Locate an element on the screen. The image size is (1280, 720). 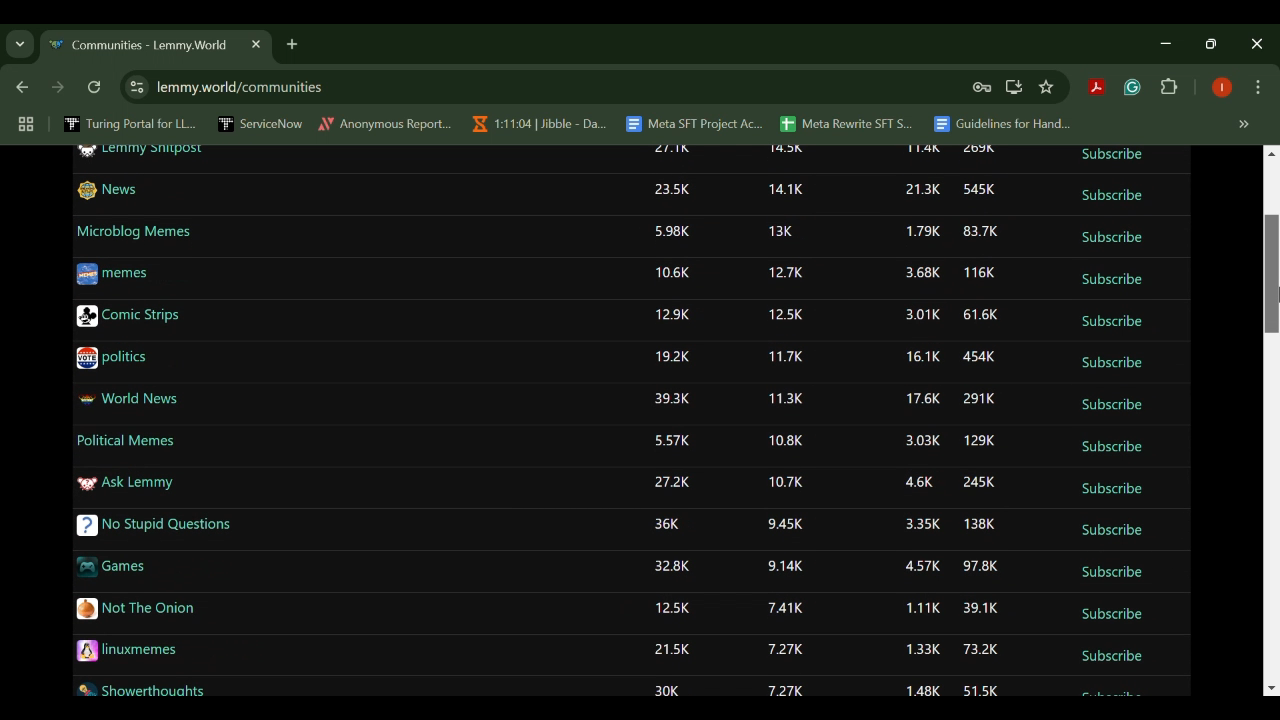
Extensions is located at coordinates (1170, 88).